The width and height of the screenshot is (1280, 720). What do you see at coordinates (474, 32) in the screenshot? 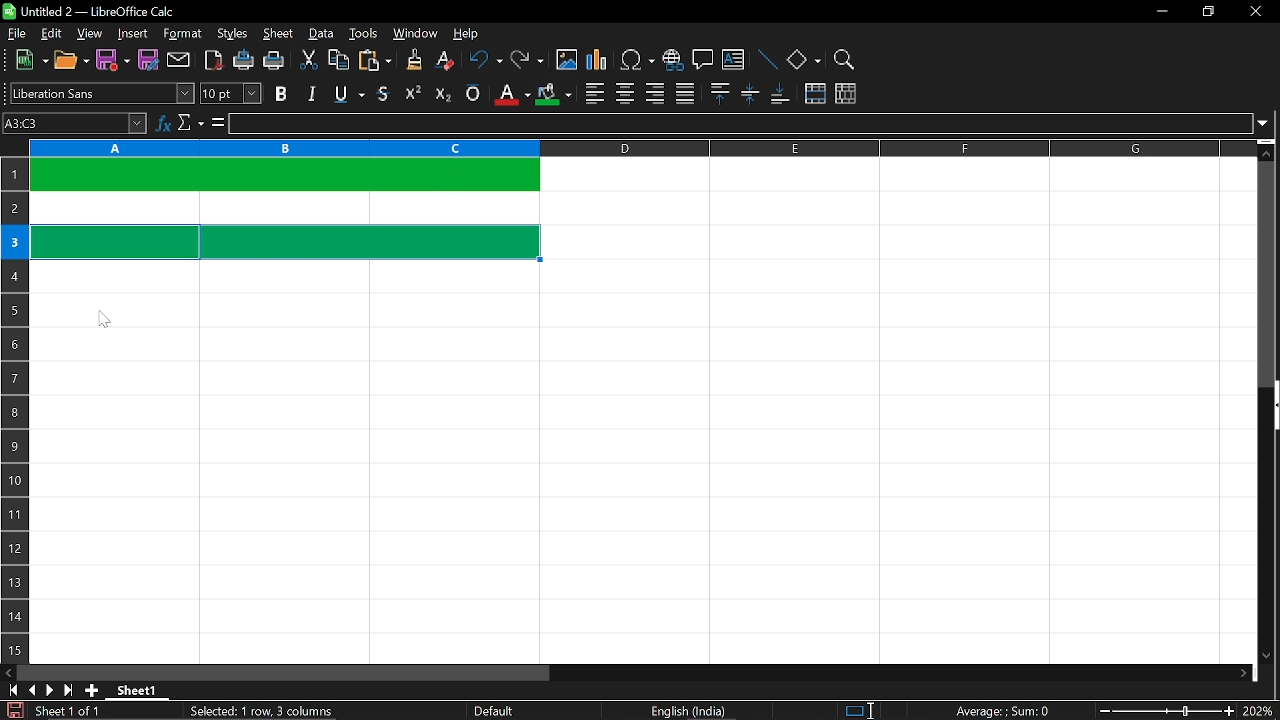
I see `help` at bounding box center [474, 32].